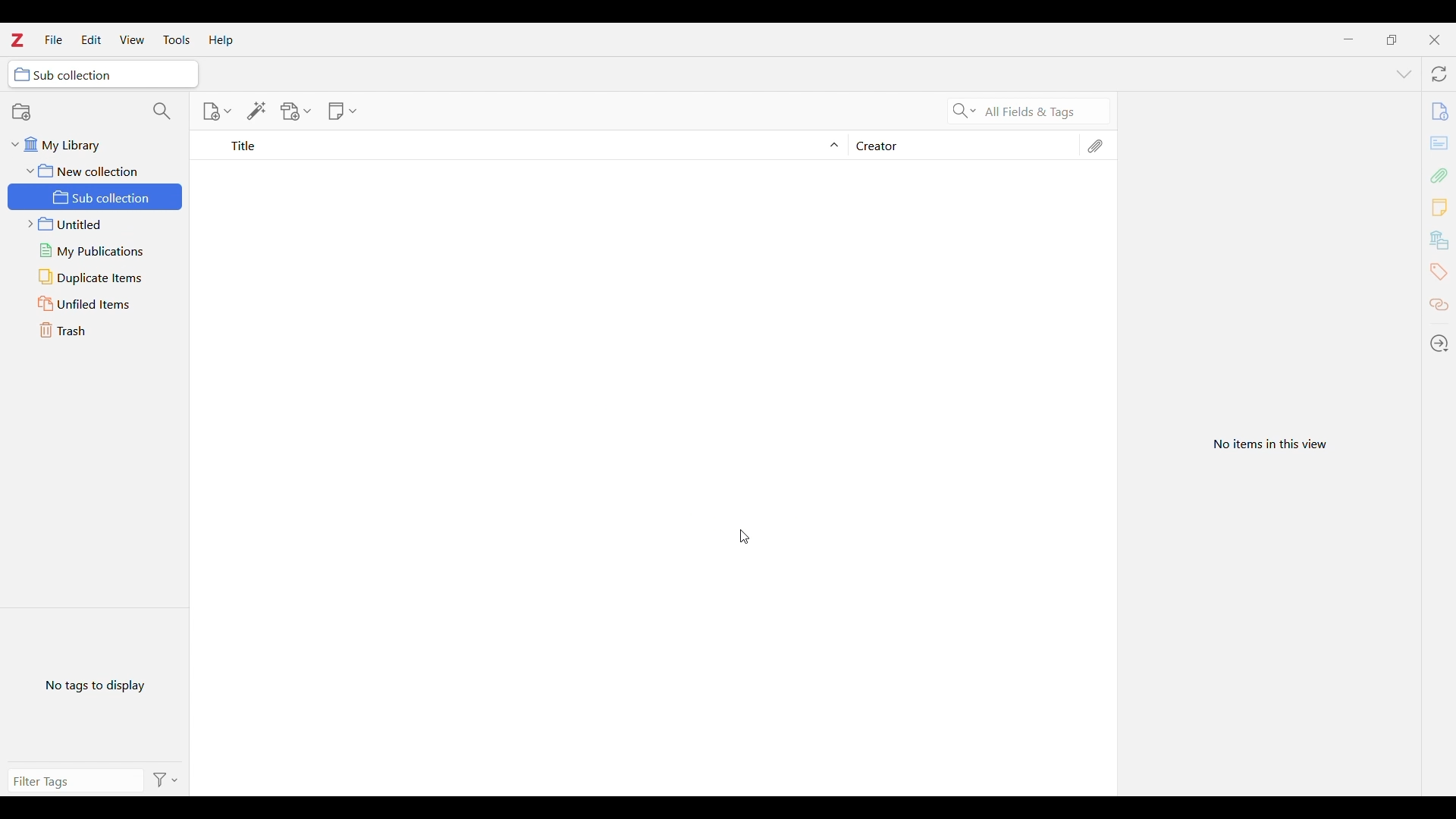  Describe the element at coordinates (1441, 145) in the screenshot. I see `cards` at that location.